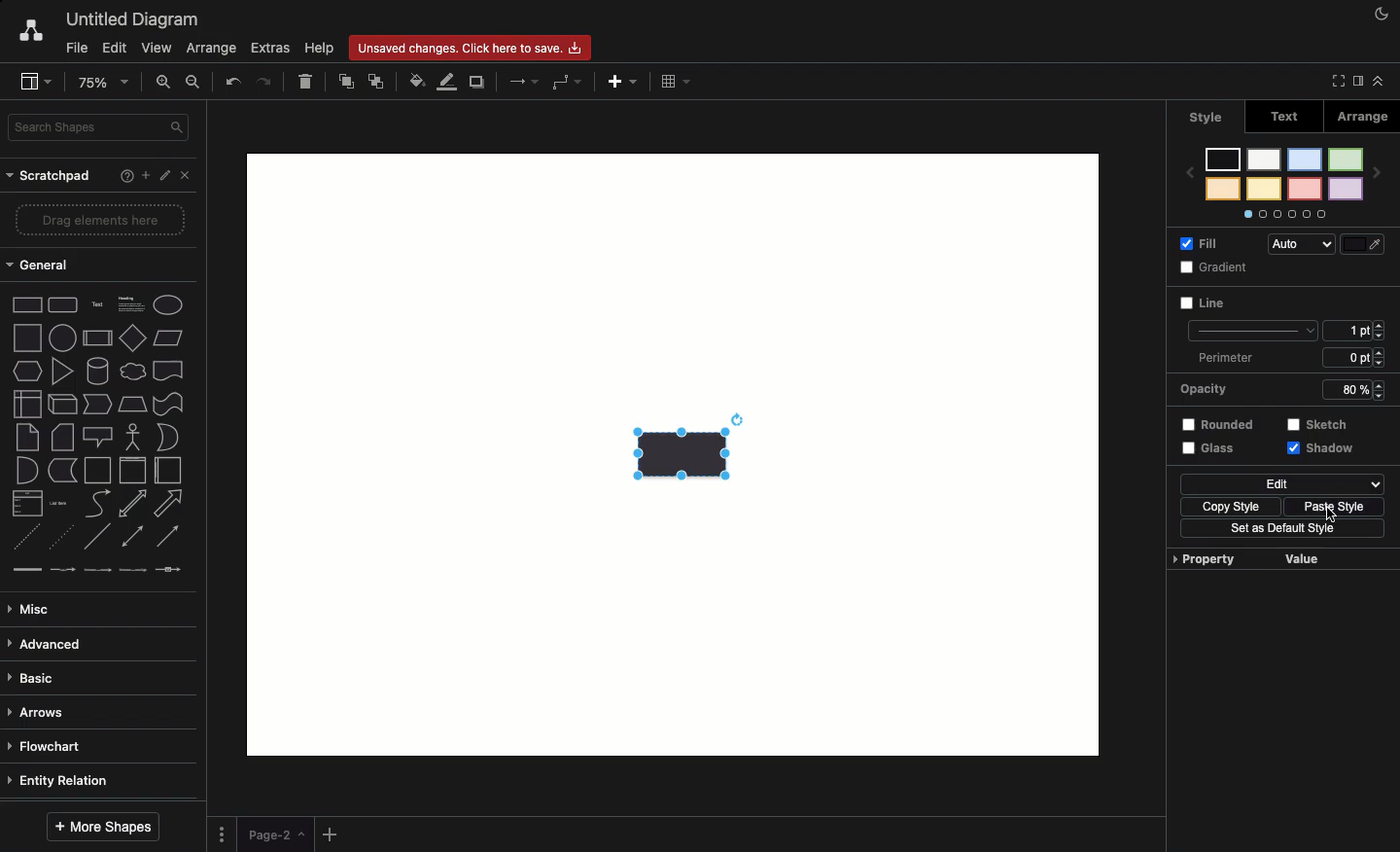 This screenshot has width=1400, height=852. What do you see at coordinates (1375, 172) in the screenshot?
I see `next` at bounding box center [1375, 172].